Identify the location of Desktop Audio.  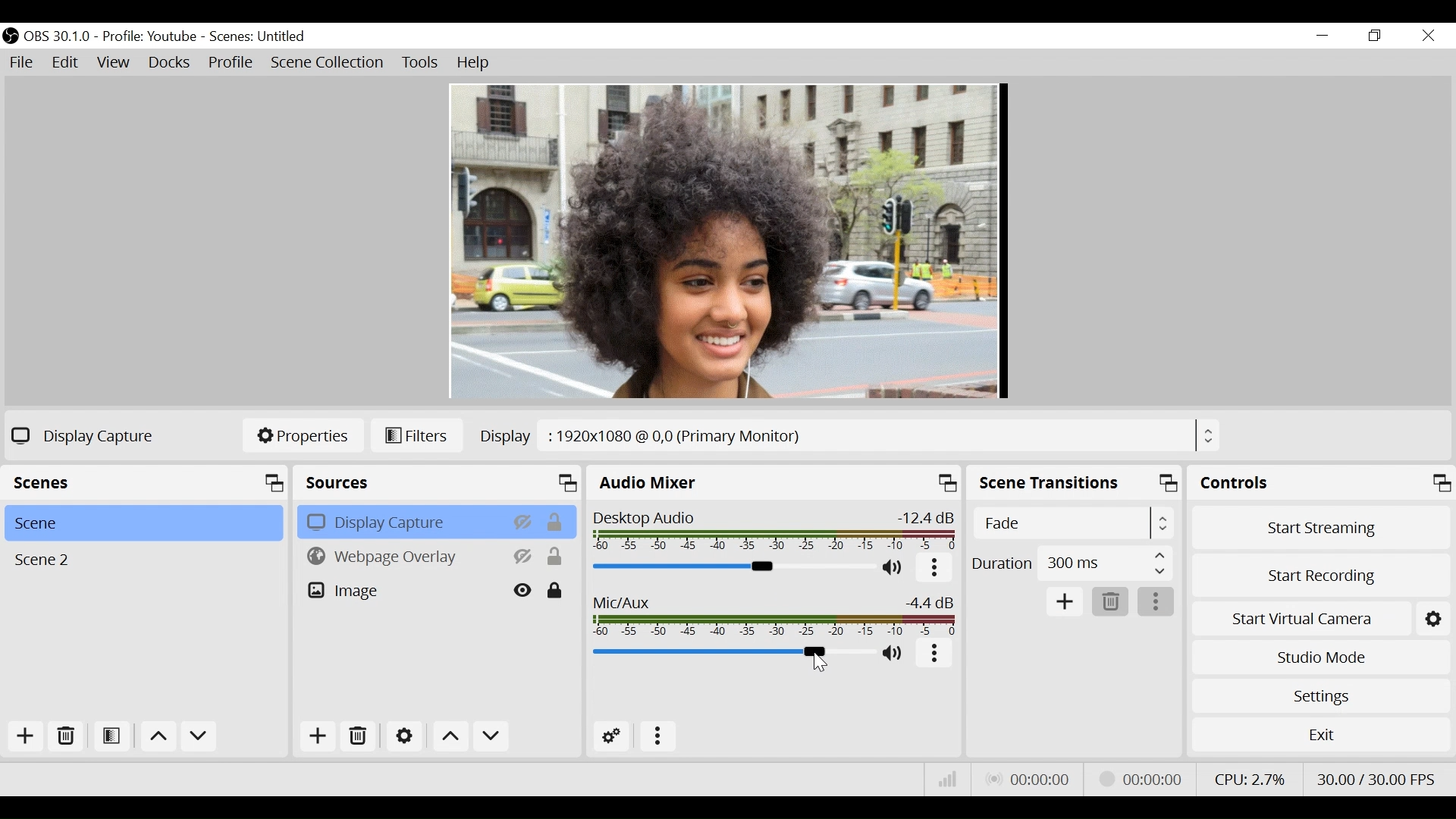
(773, 531).